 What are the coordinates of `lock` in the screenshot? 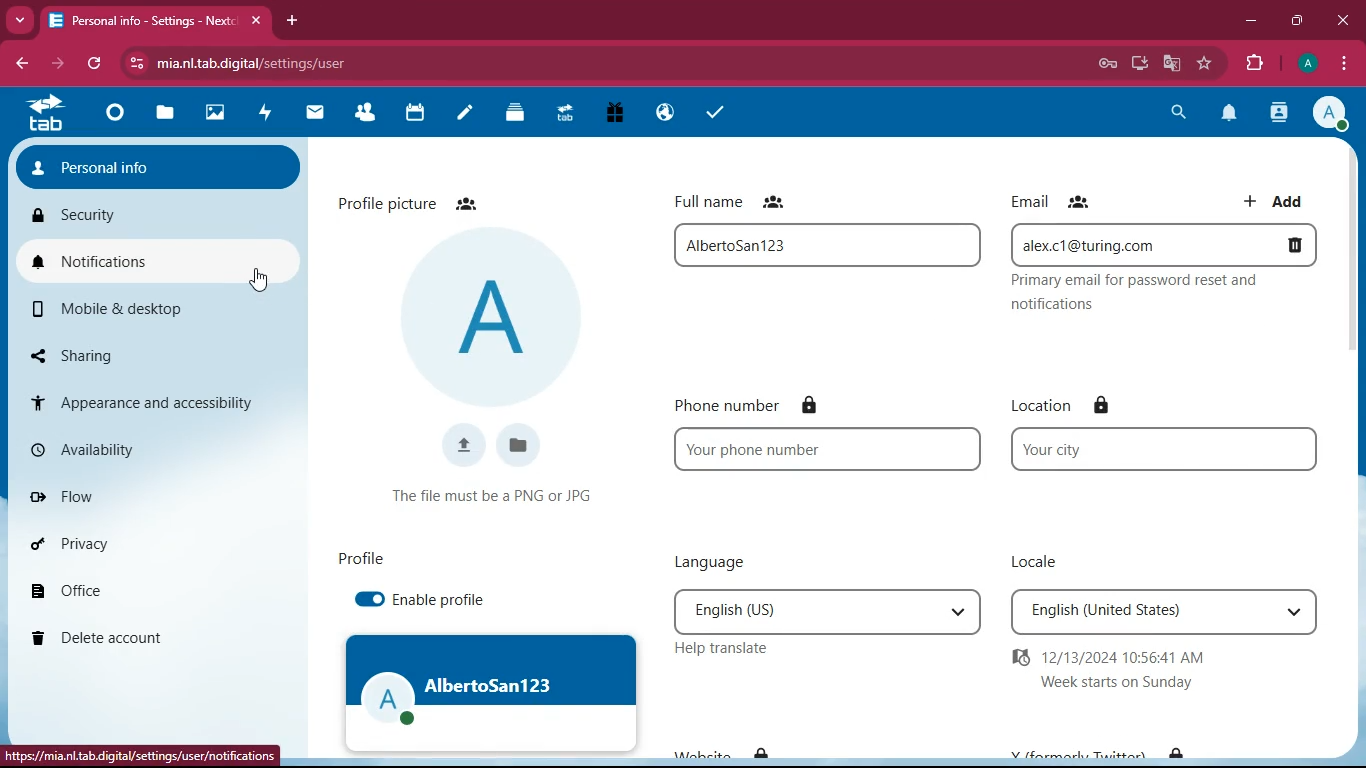 It's located at (1103, 407).